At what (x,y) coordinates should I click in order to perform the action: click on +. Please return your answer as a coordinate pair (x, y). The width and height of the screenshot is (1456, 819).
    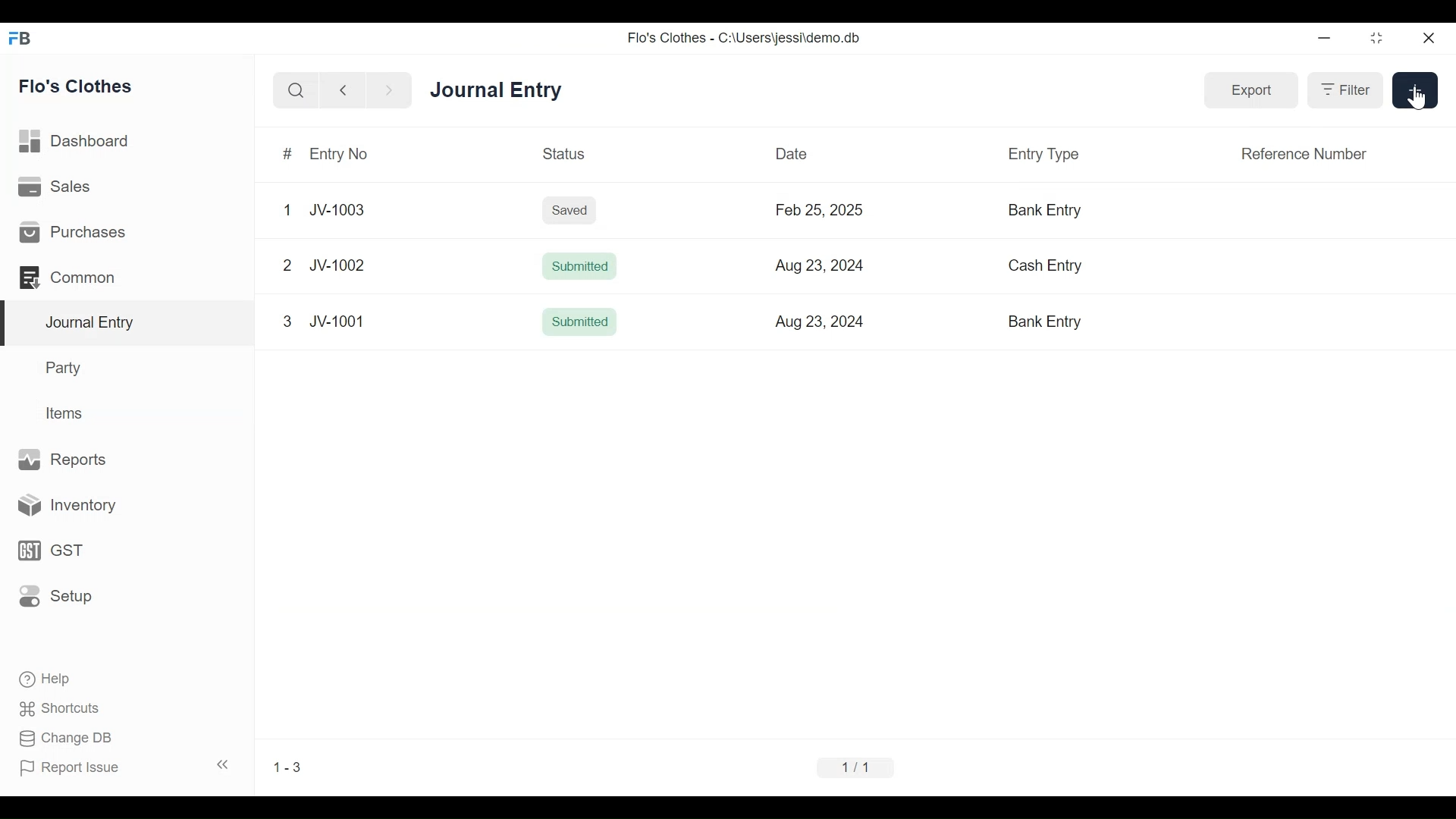
    Looking at the image, I should click on (1416, 89).